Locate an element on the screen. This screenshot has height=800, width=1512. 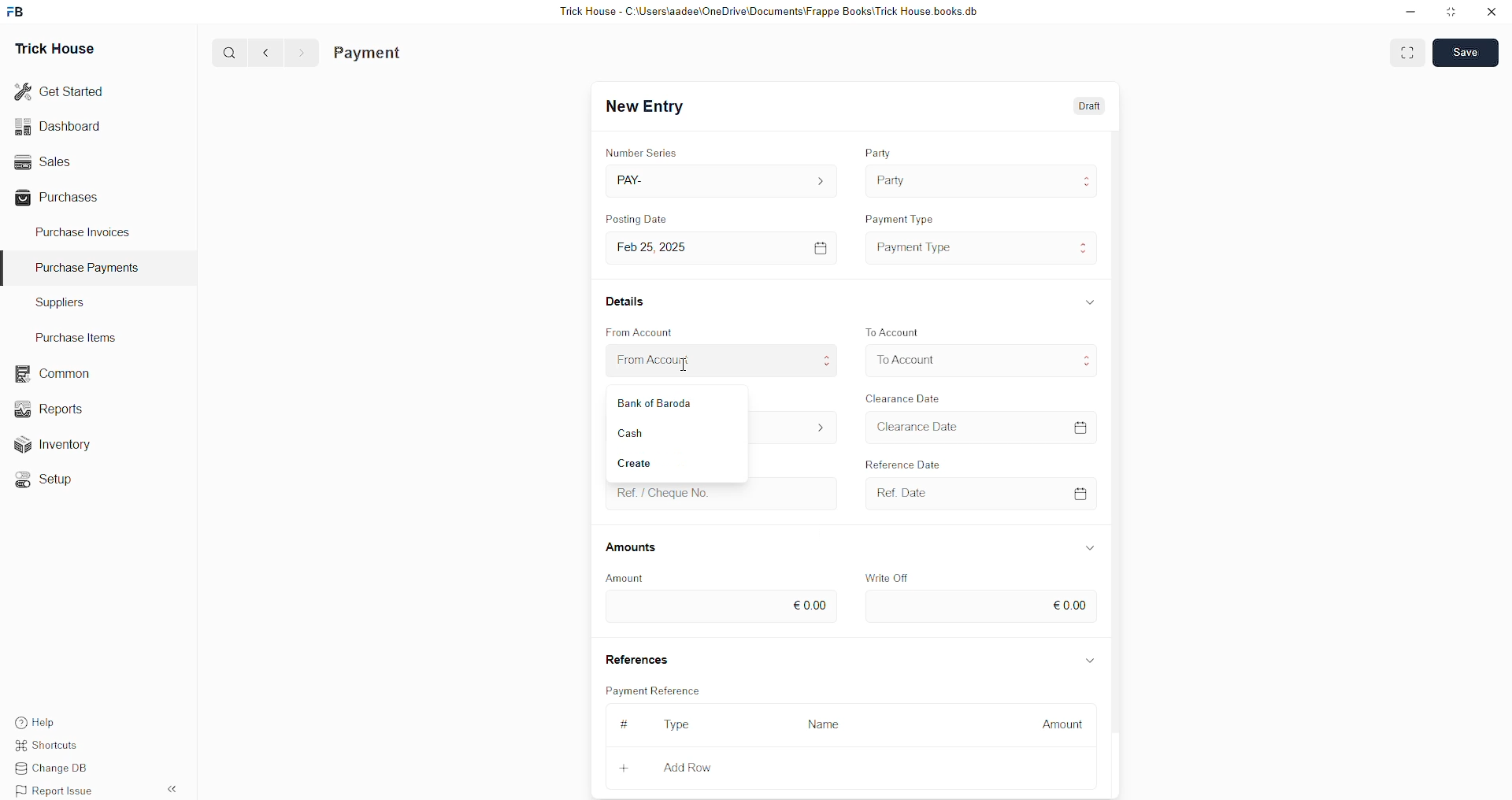
Payment Reference is located at coordinates (661, 689).